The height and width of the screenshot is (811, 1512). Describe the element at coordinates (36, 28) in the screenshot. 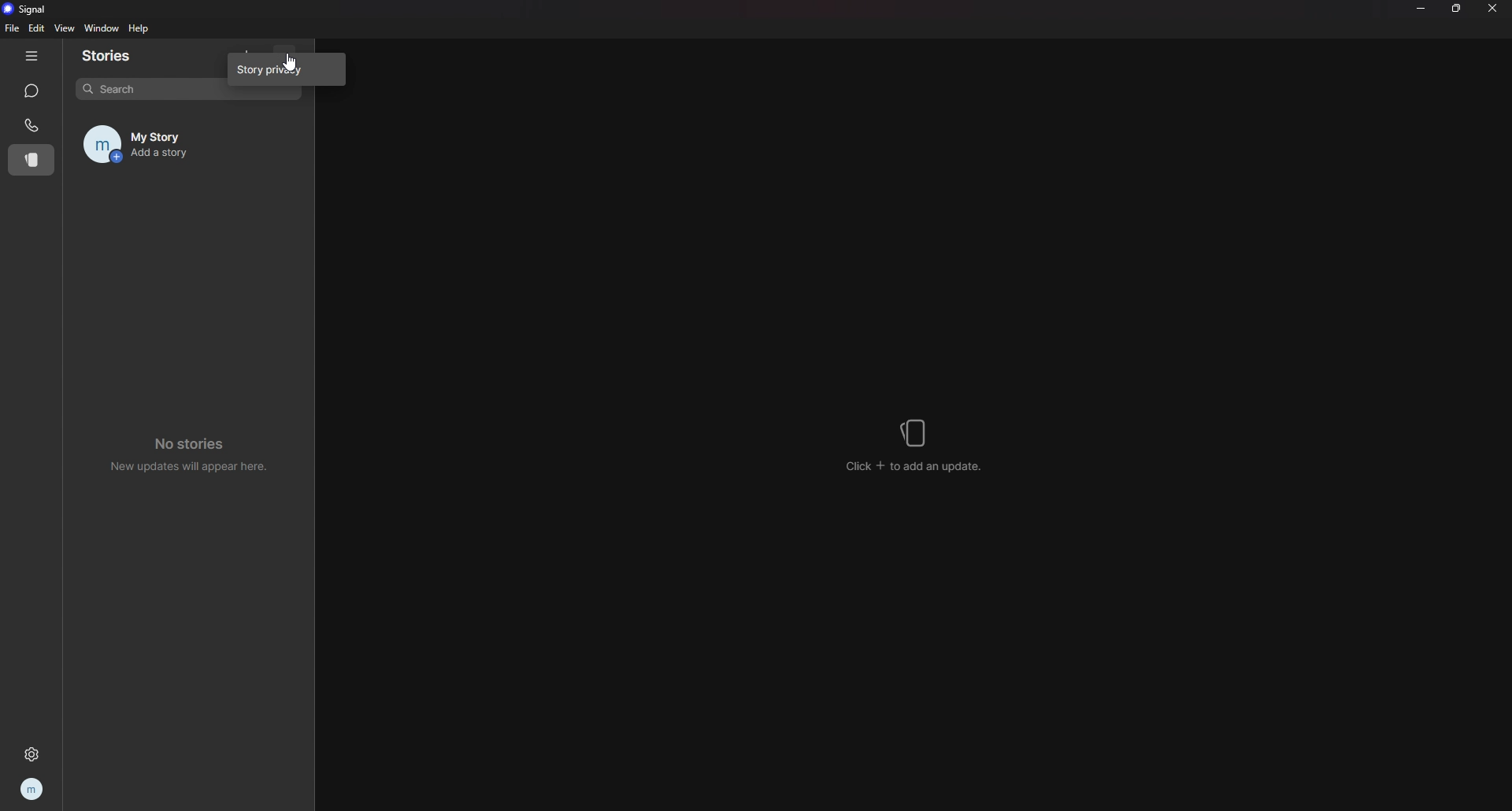

I see `edit` at that location.